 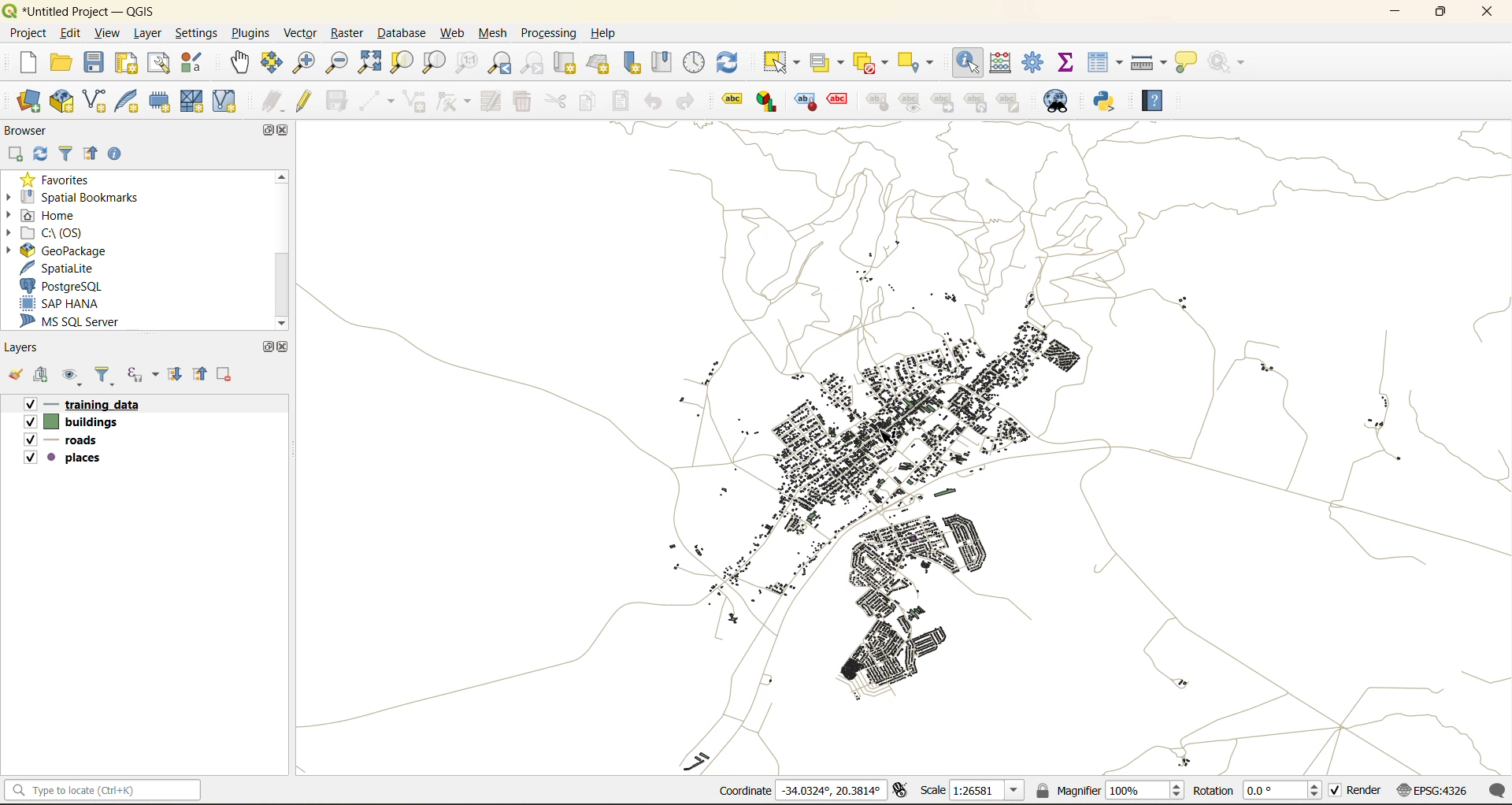 I want to click on new spatialite, so click(x=130, y=105).